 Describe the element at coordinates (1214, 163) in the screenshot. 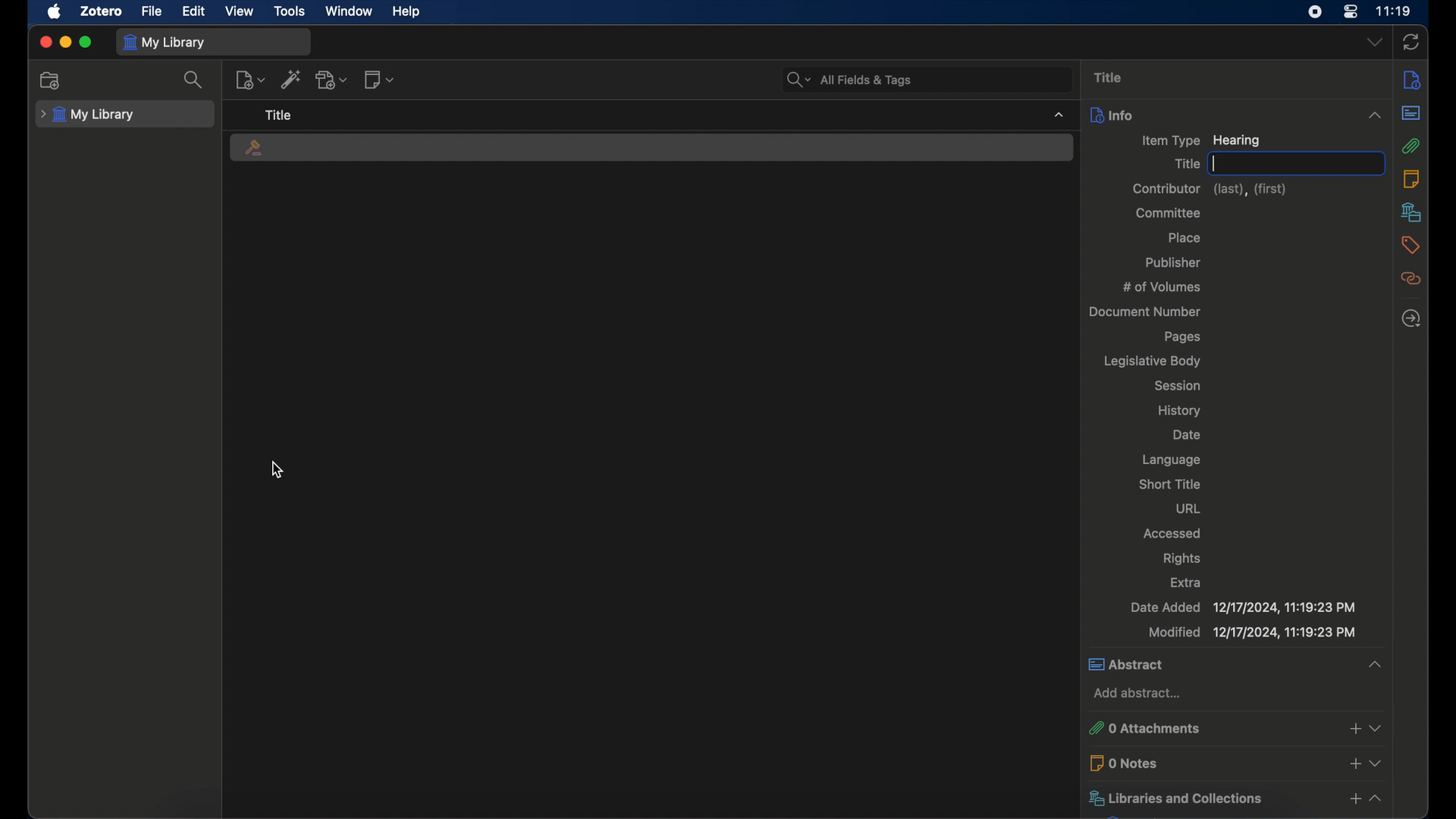

I see `text cursor` at that location.